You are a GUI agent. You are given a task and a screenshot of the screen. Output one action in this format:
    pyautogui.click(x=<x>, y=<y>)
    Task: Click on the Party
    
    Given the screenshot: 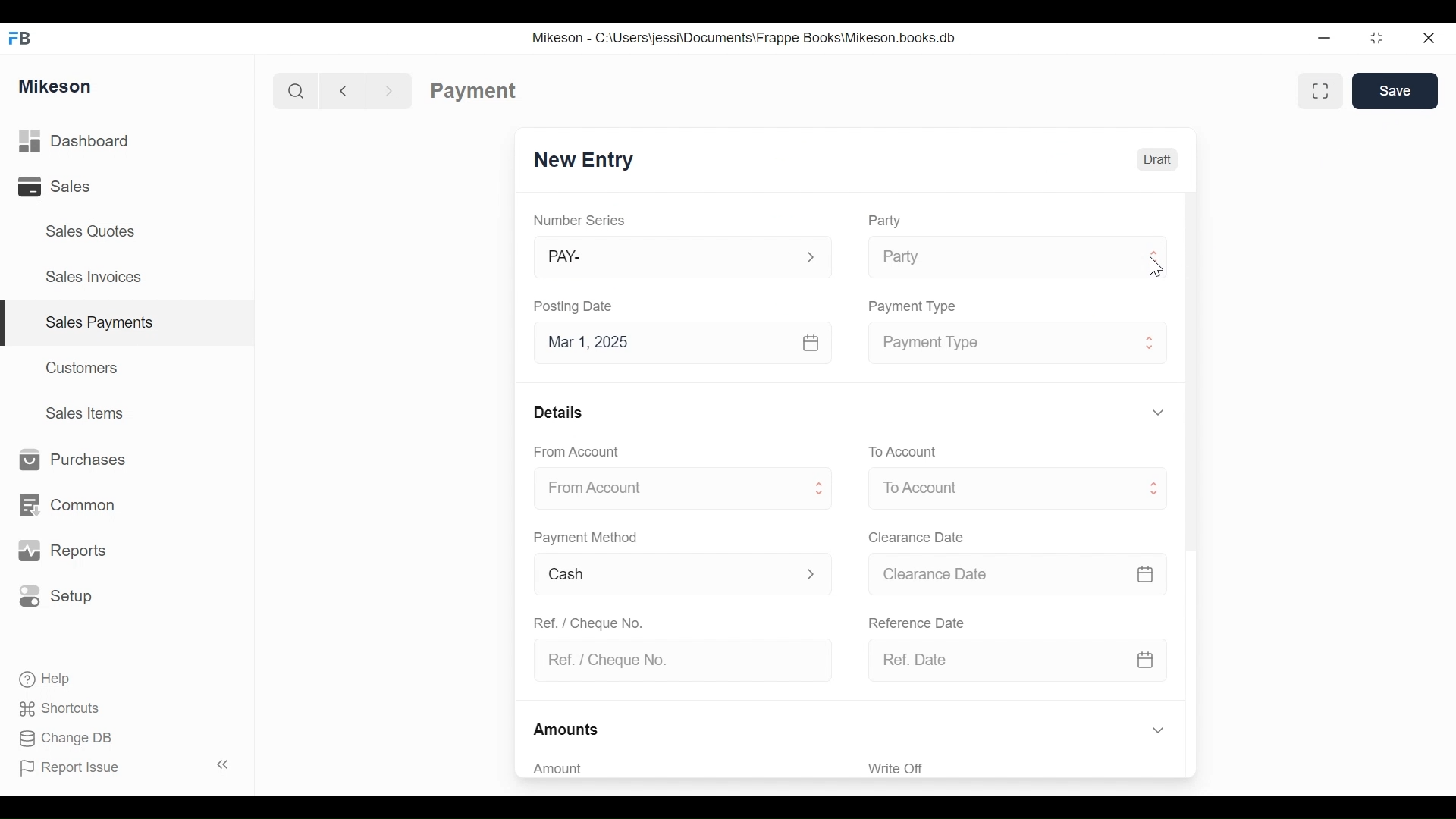 What is the action you would take?
    pyautogui.click(x=1019, y=256)
    